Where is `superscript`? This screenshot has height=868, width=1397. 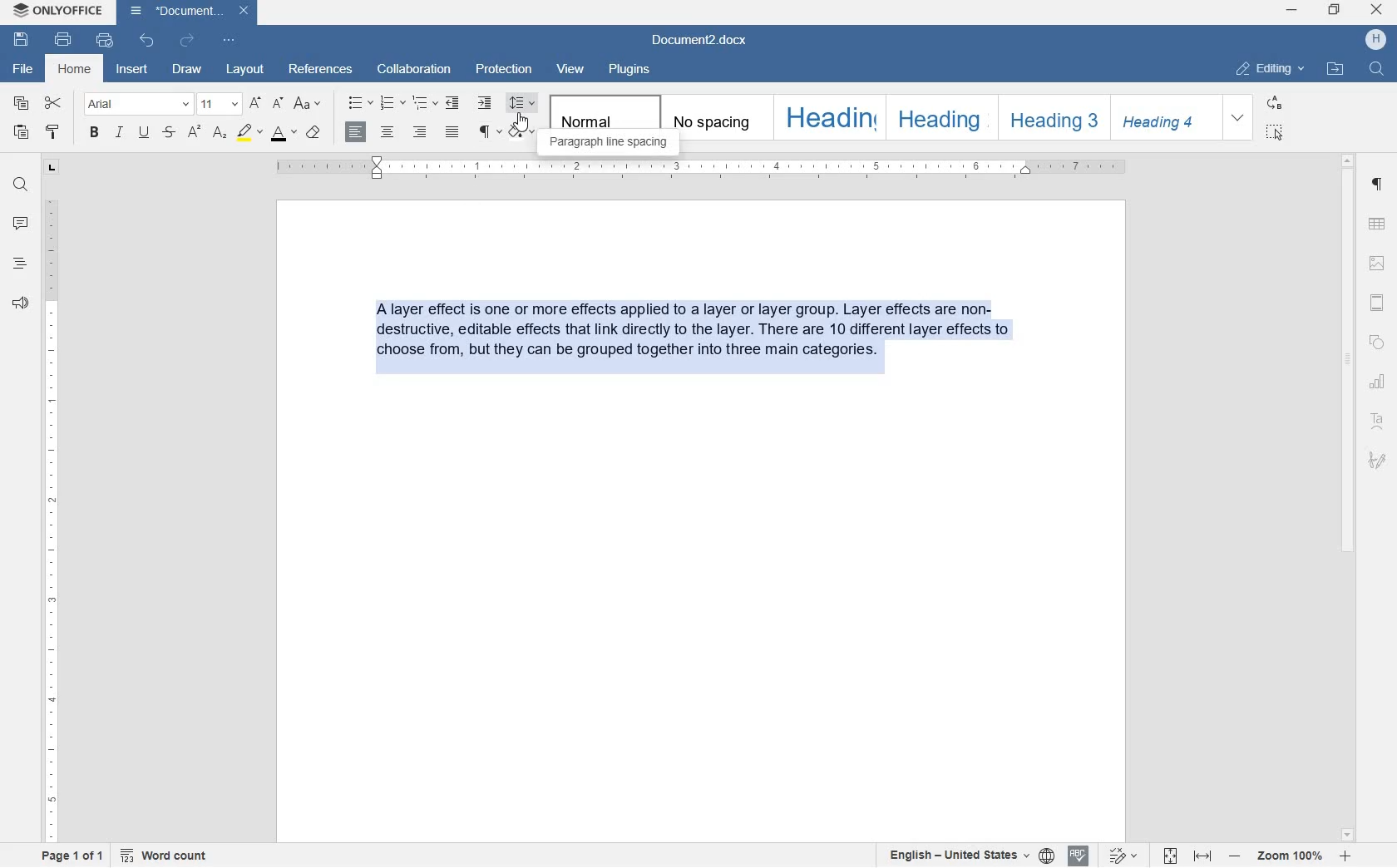 superscript is located at coordinates (194, 133).